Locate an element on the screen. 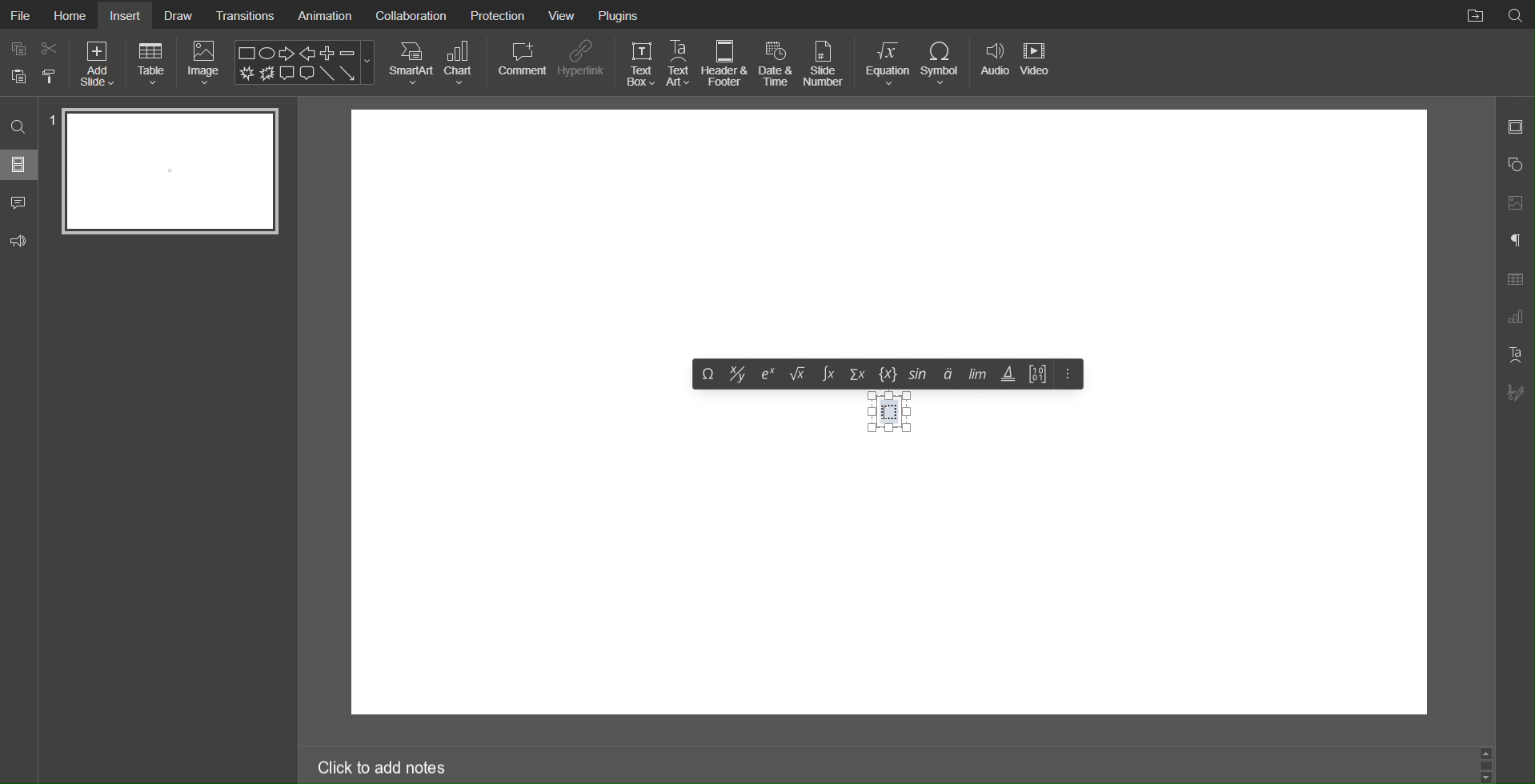  Click to add notes is located at coordinates (381, 770).